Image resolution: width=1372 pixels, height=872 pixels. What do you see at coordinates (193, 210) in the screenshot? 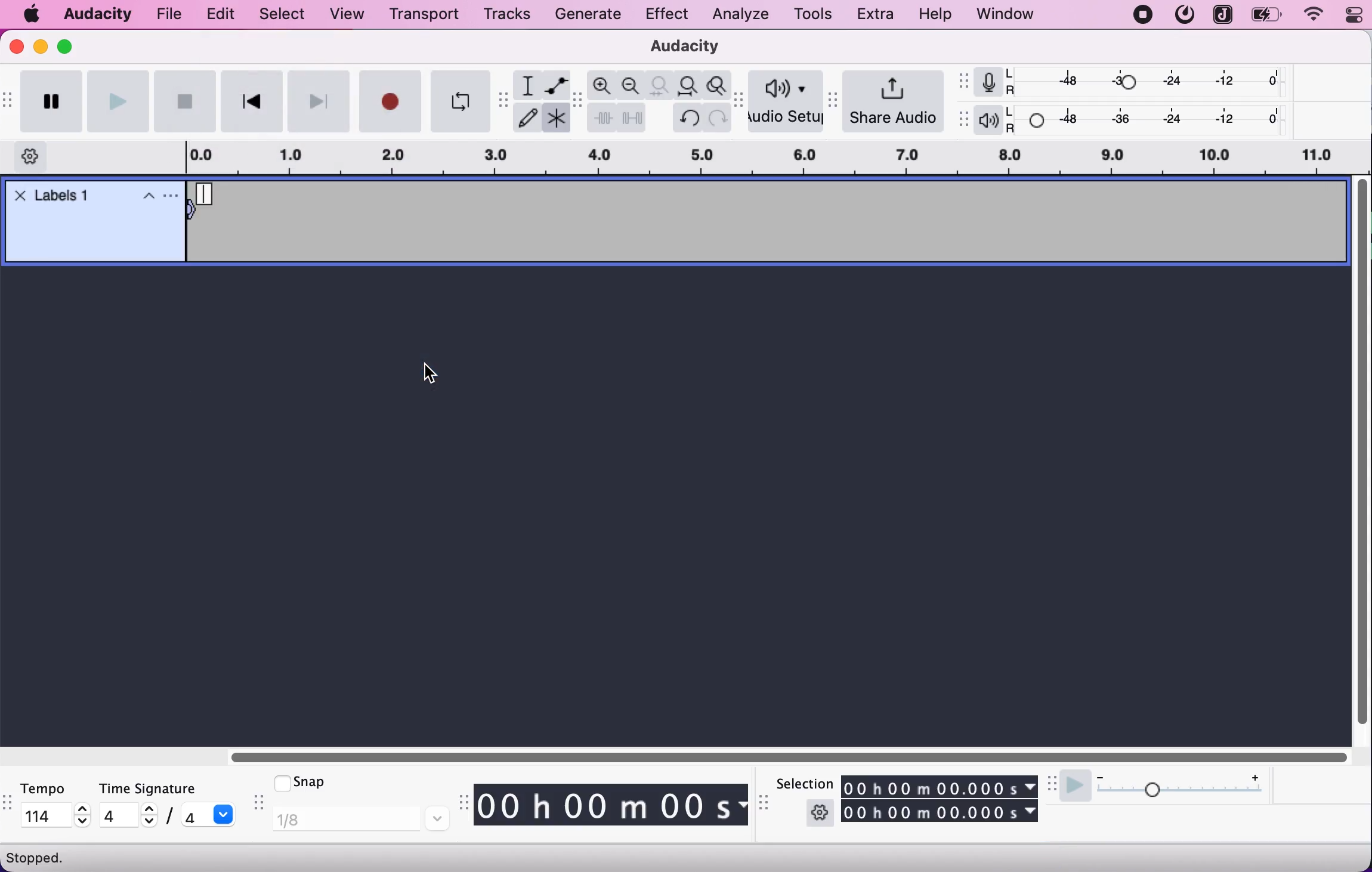
I see `move selection` at bounding box center [193, 210].